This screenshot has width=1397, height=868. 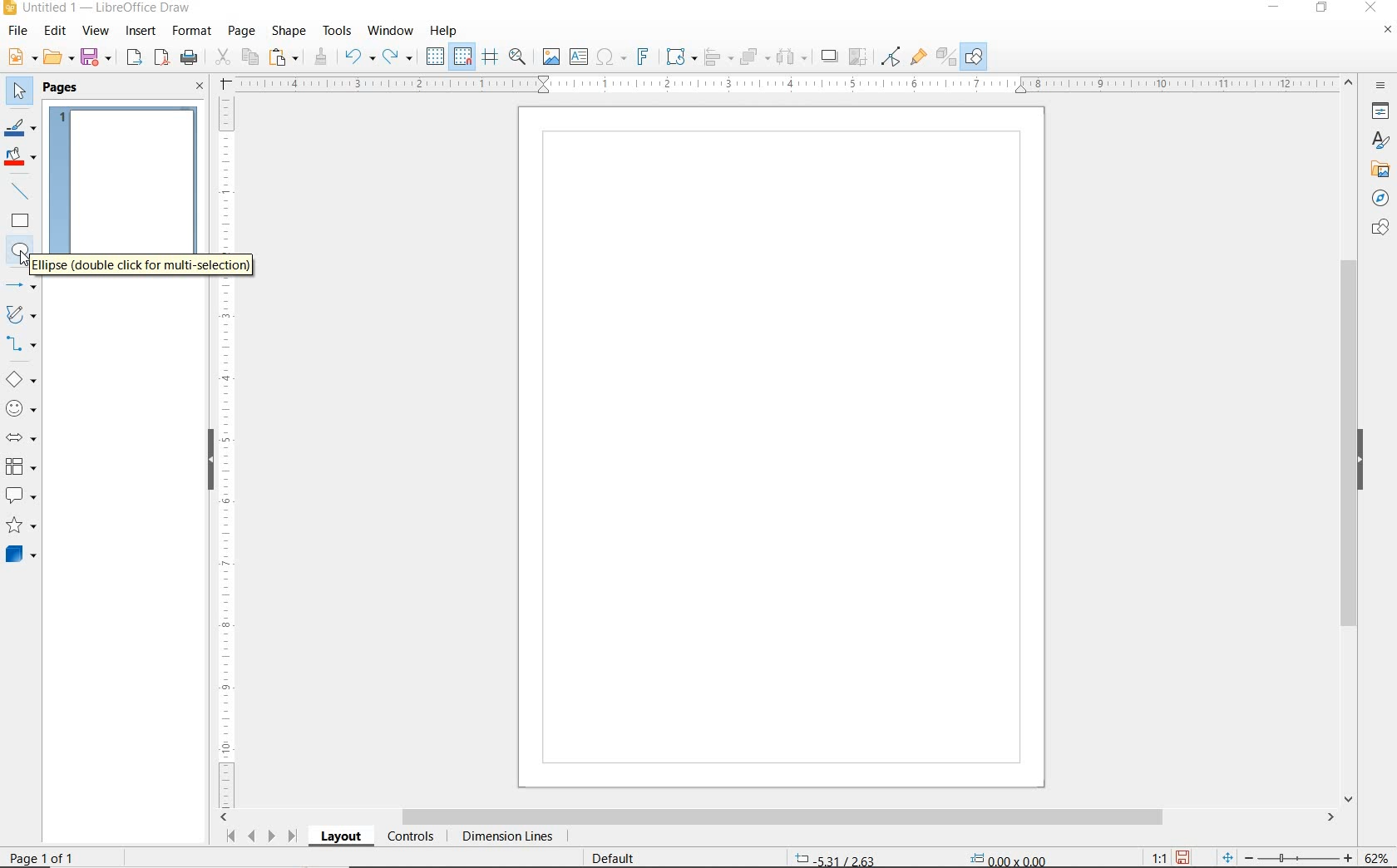 What do you see at coordinates (96, 9) in the screenshot?
I see `FILE NAME` at bounding box center [96, 9].